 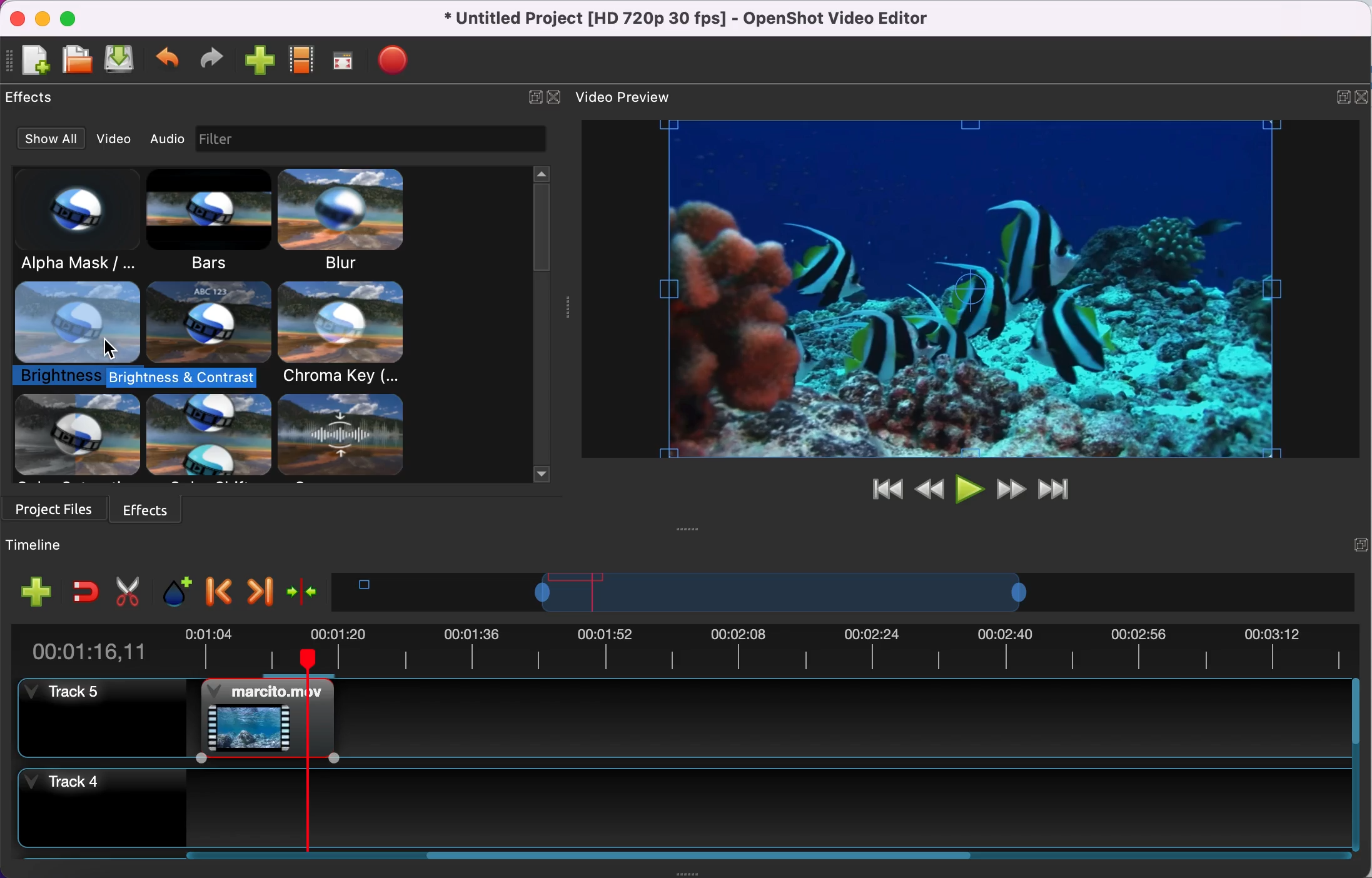 I want to click on jump to start, so click(x=880, y=491).